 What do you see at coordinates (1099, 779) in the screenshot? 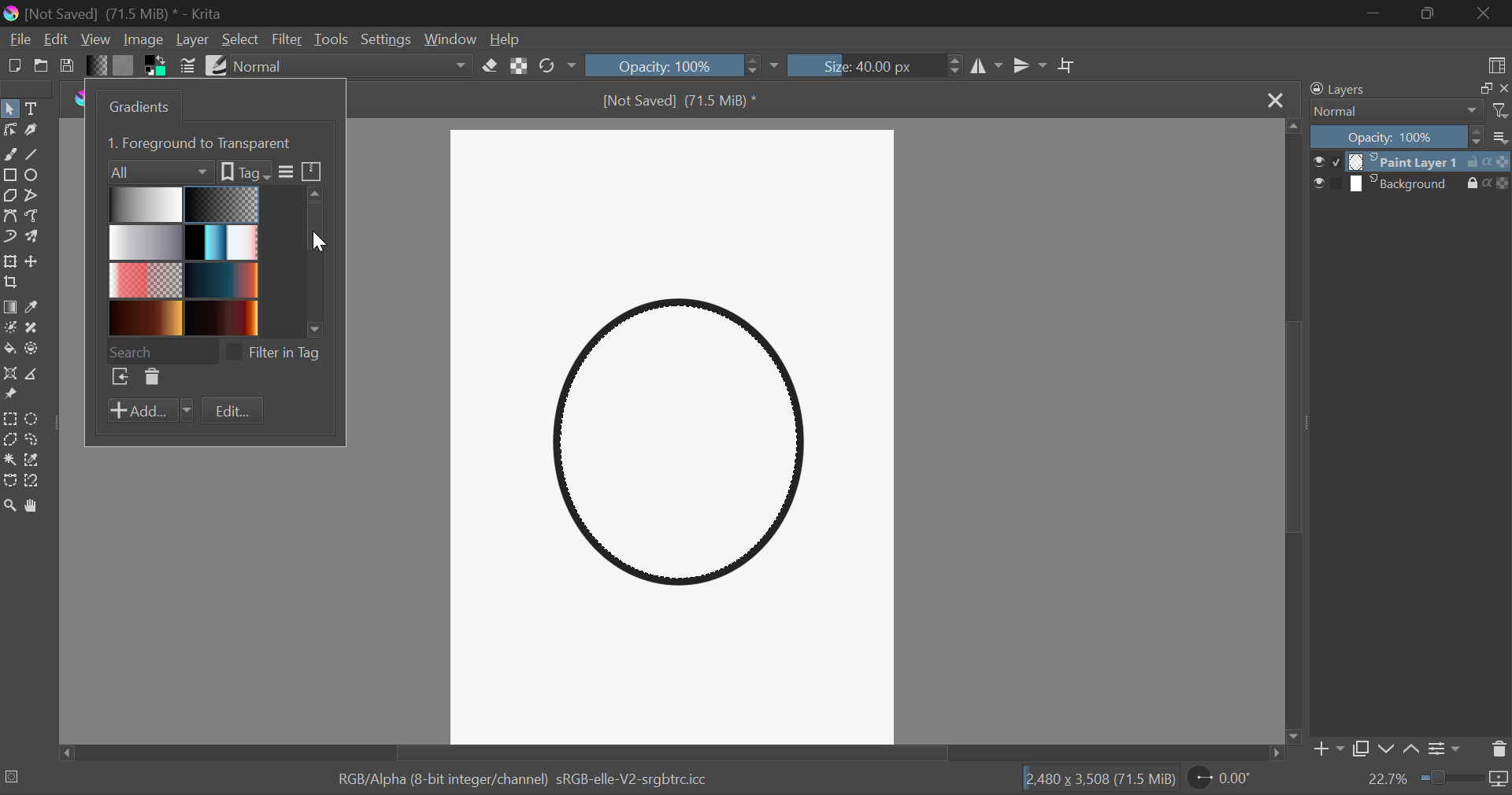
I see `12,480 x 3,508 (71.5 MiB)` at bounding box center [1099, 779].